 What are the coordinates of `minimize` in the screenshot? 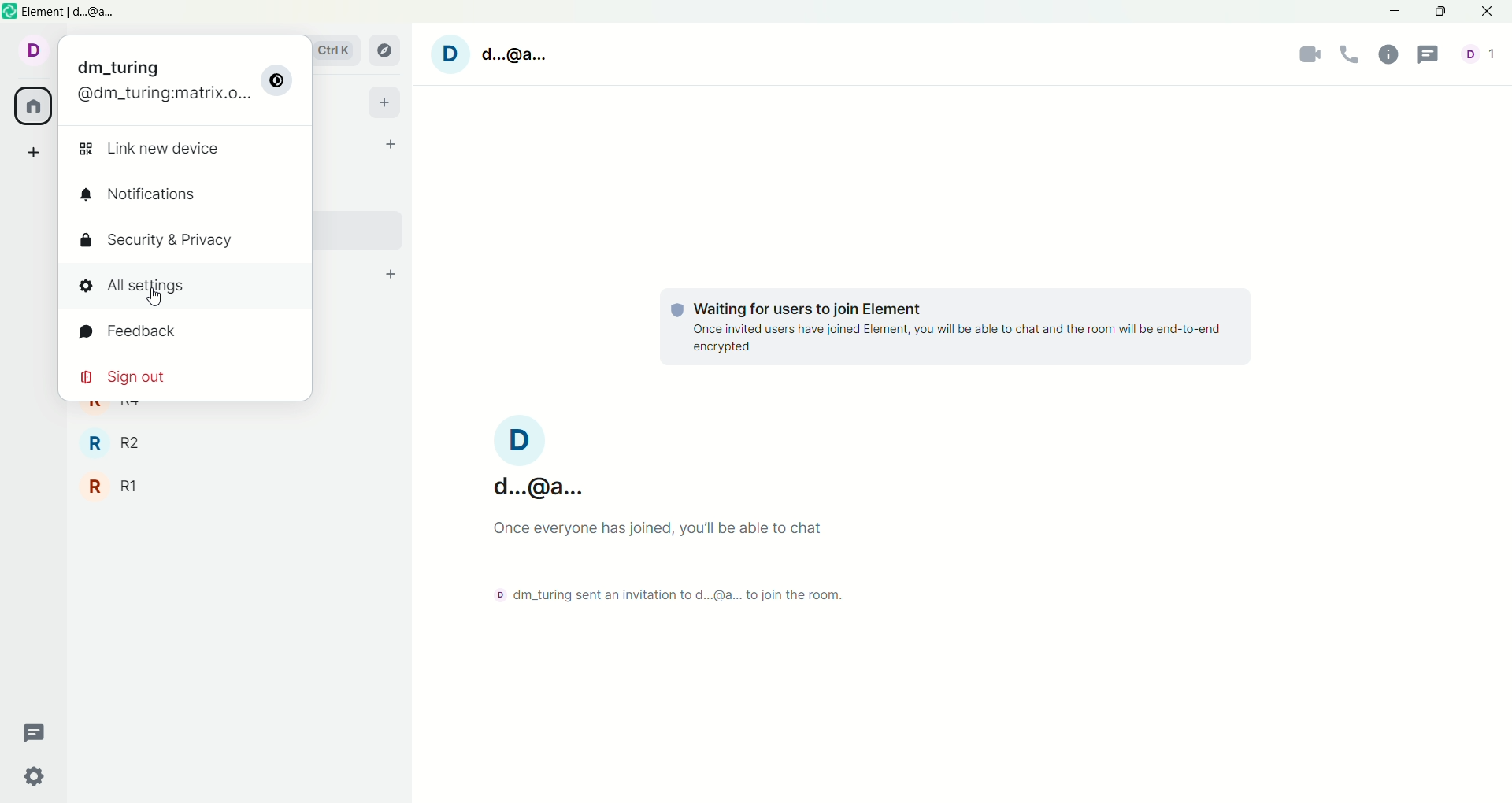 It's located at (1396, 13).